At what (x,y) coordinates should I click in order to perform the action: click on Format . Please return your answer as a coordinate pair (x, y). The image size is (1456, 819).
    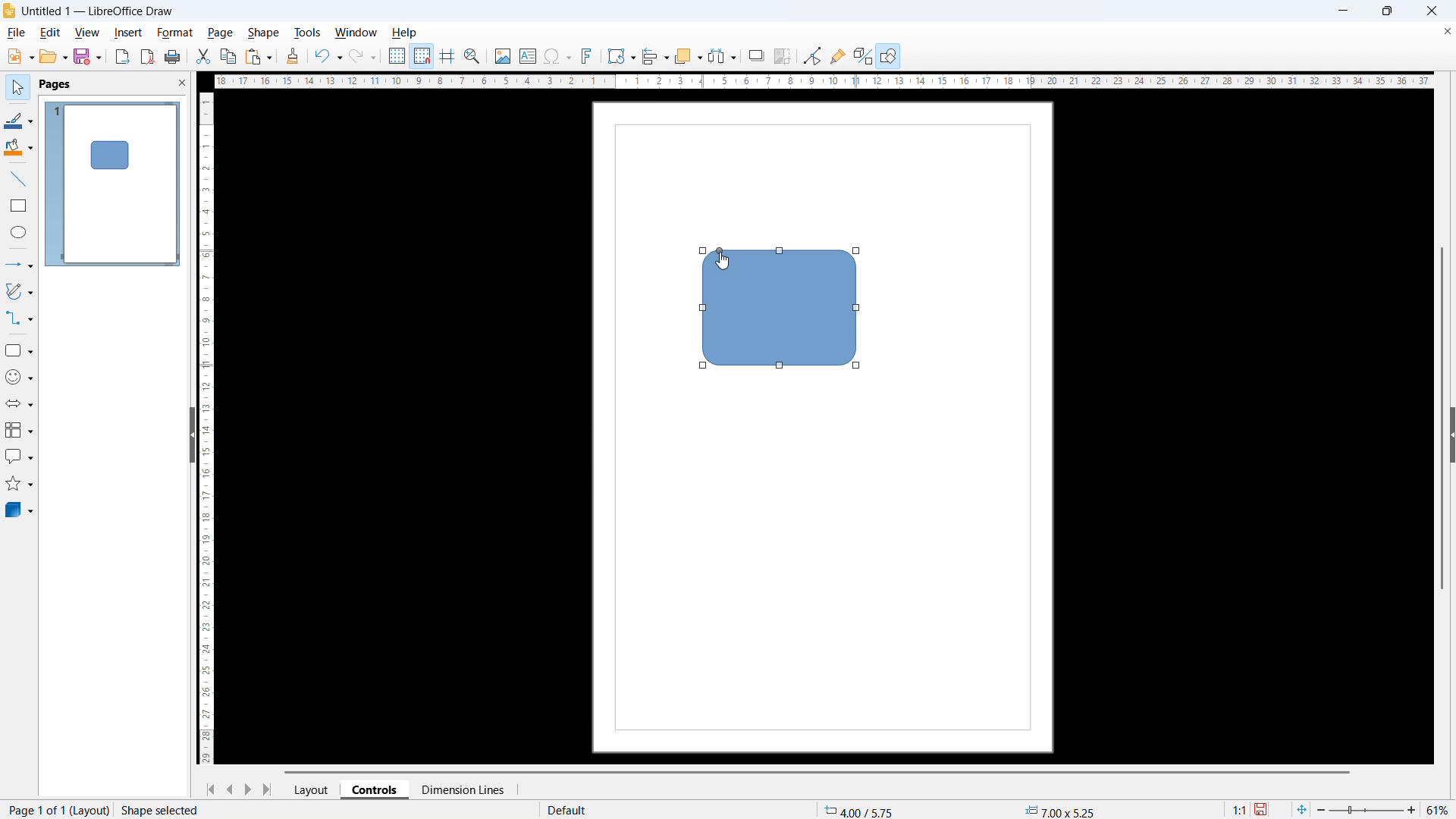
    Looking at the image, I should click on (175, 33).